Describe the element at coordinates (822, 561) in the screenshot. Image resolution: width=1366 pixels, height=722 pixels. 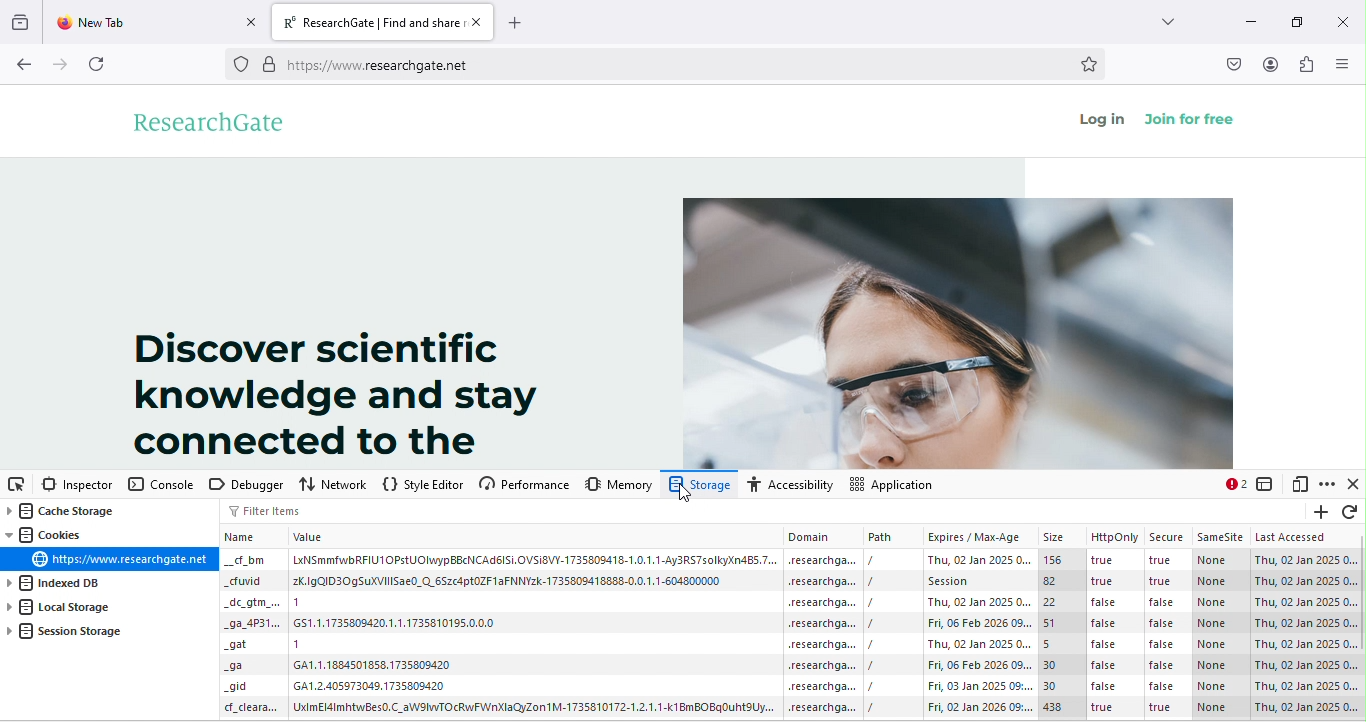
I see `domain` at that location.